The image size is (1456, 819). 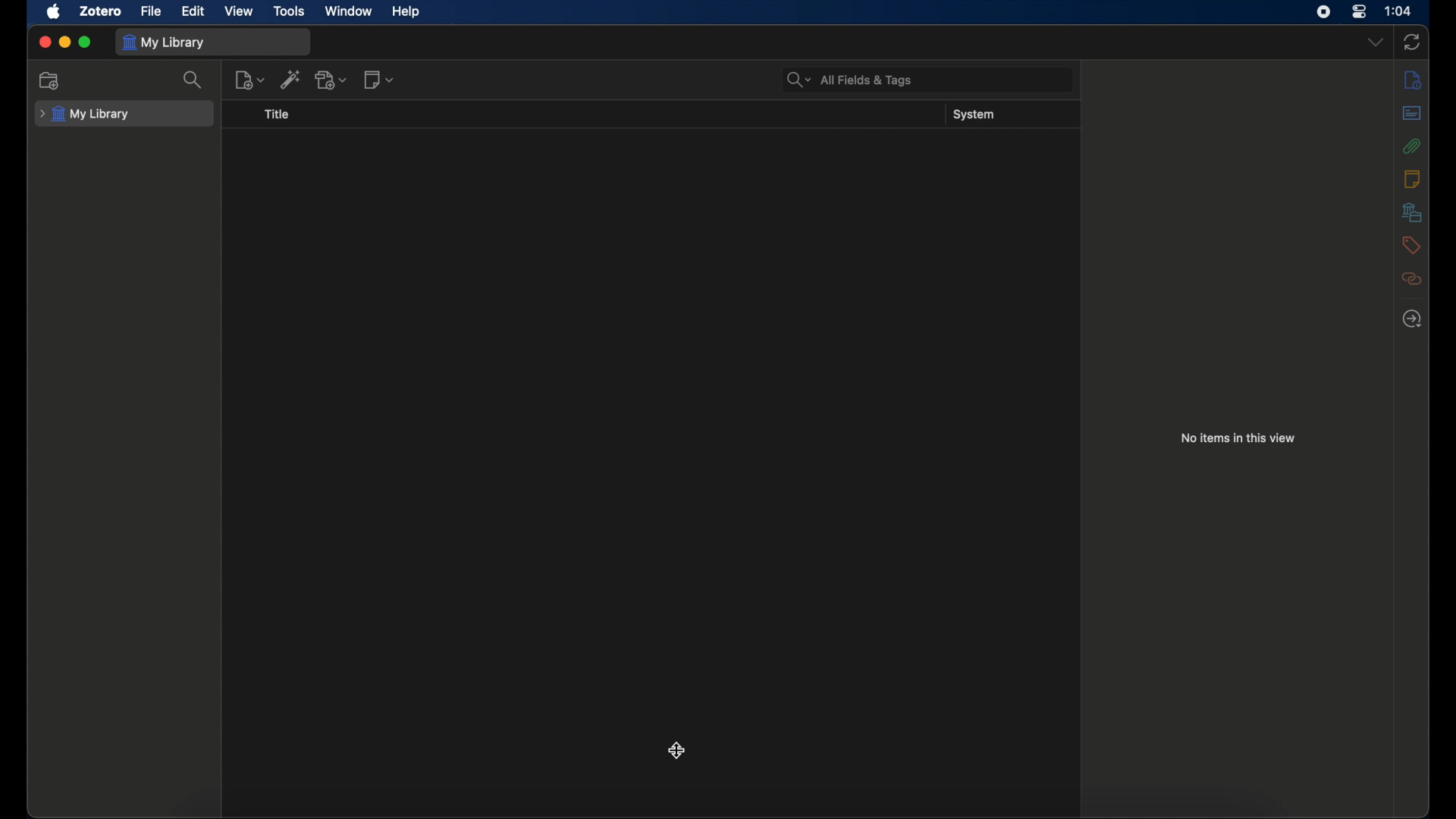 I want to click on dropdown, so click(x=1375, y=42).